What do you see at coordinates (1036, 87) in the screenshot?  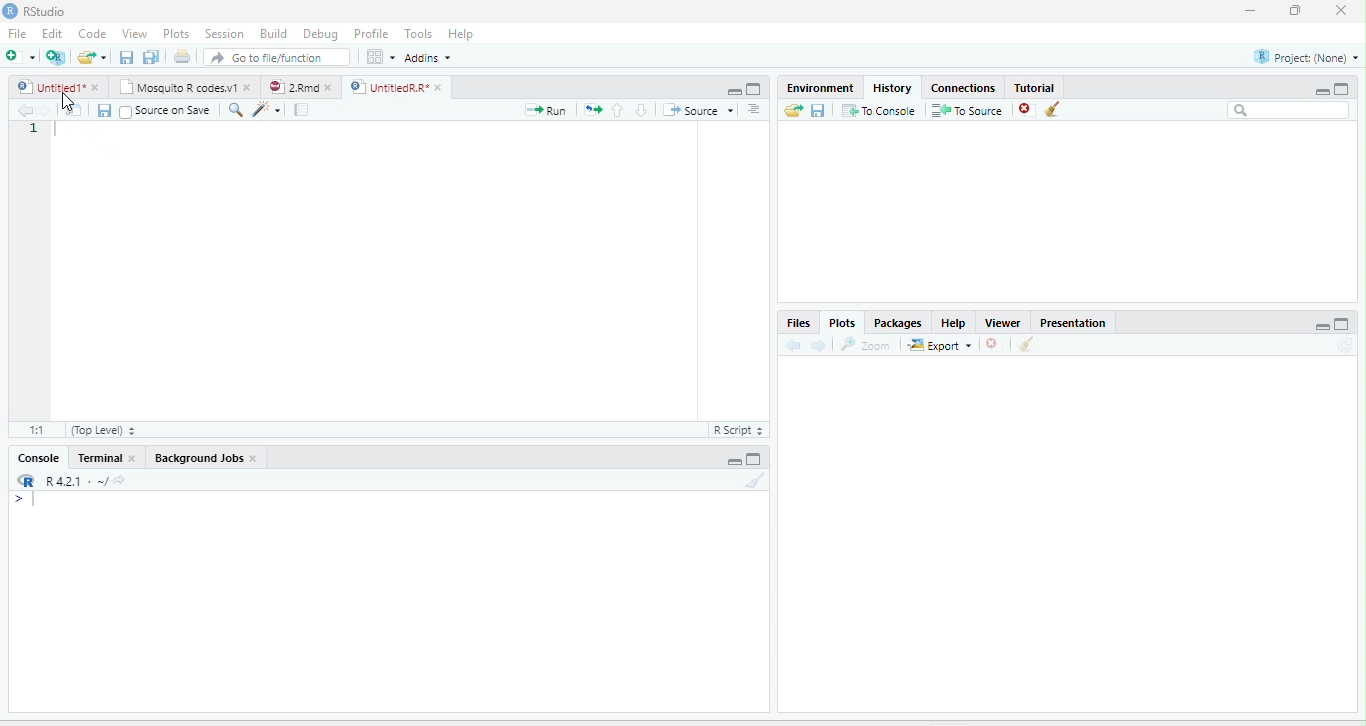 I see `Tutorial` at bounding box center [1036, 87].